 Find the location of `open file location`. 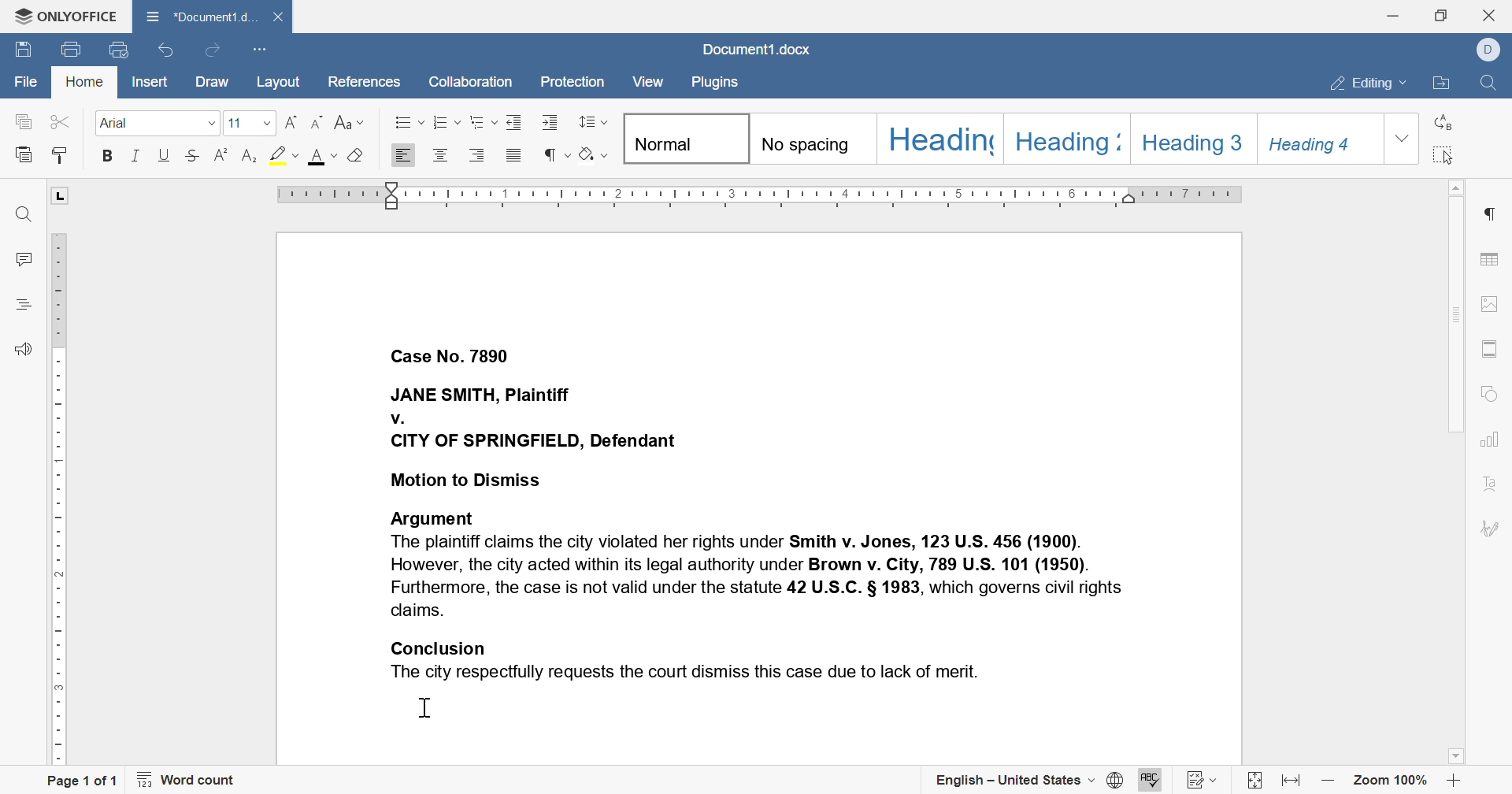

open file location is located at coordinates (1441, 86).